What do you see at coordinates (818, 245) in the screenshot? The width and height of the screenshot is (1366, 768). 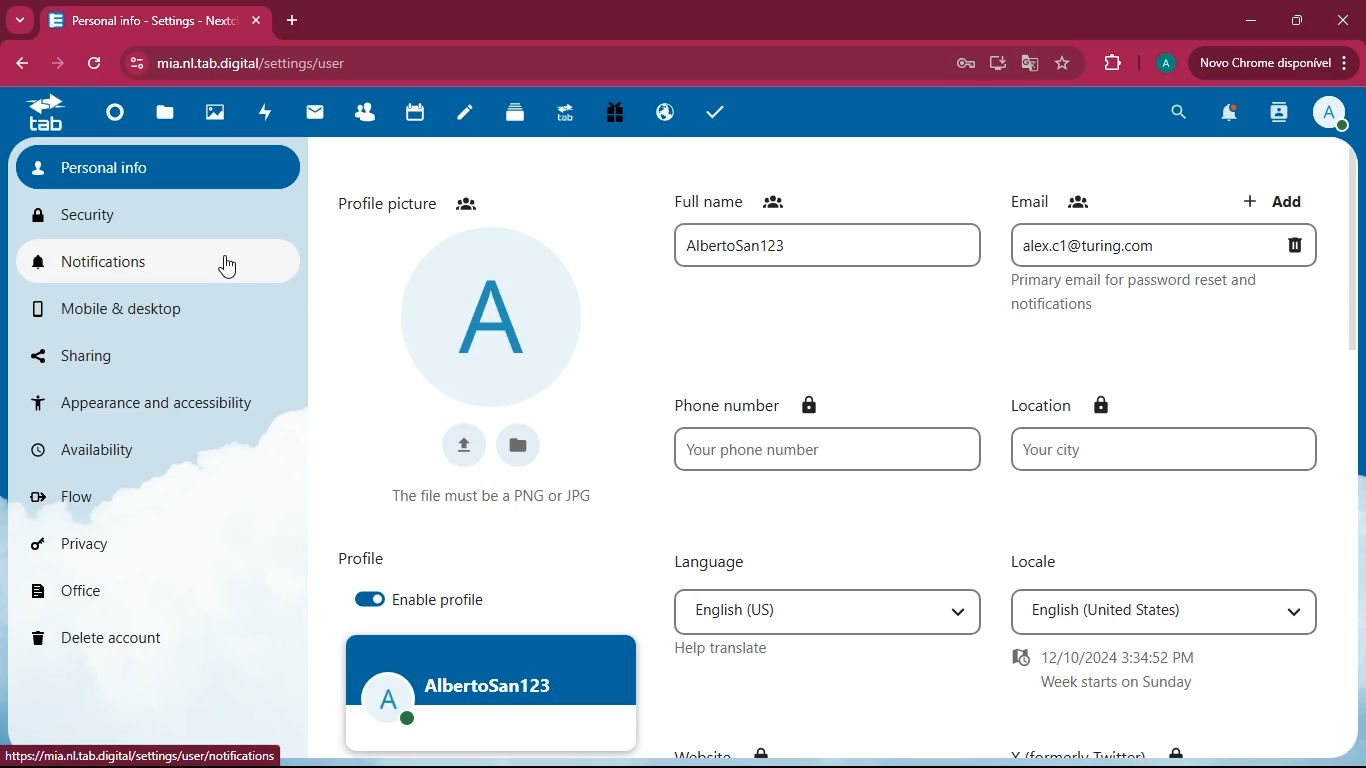 I see `name` at bounding box center [818, 245].